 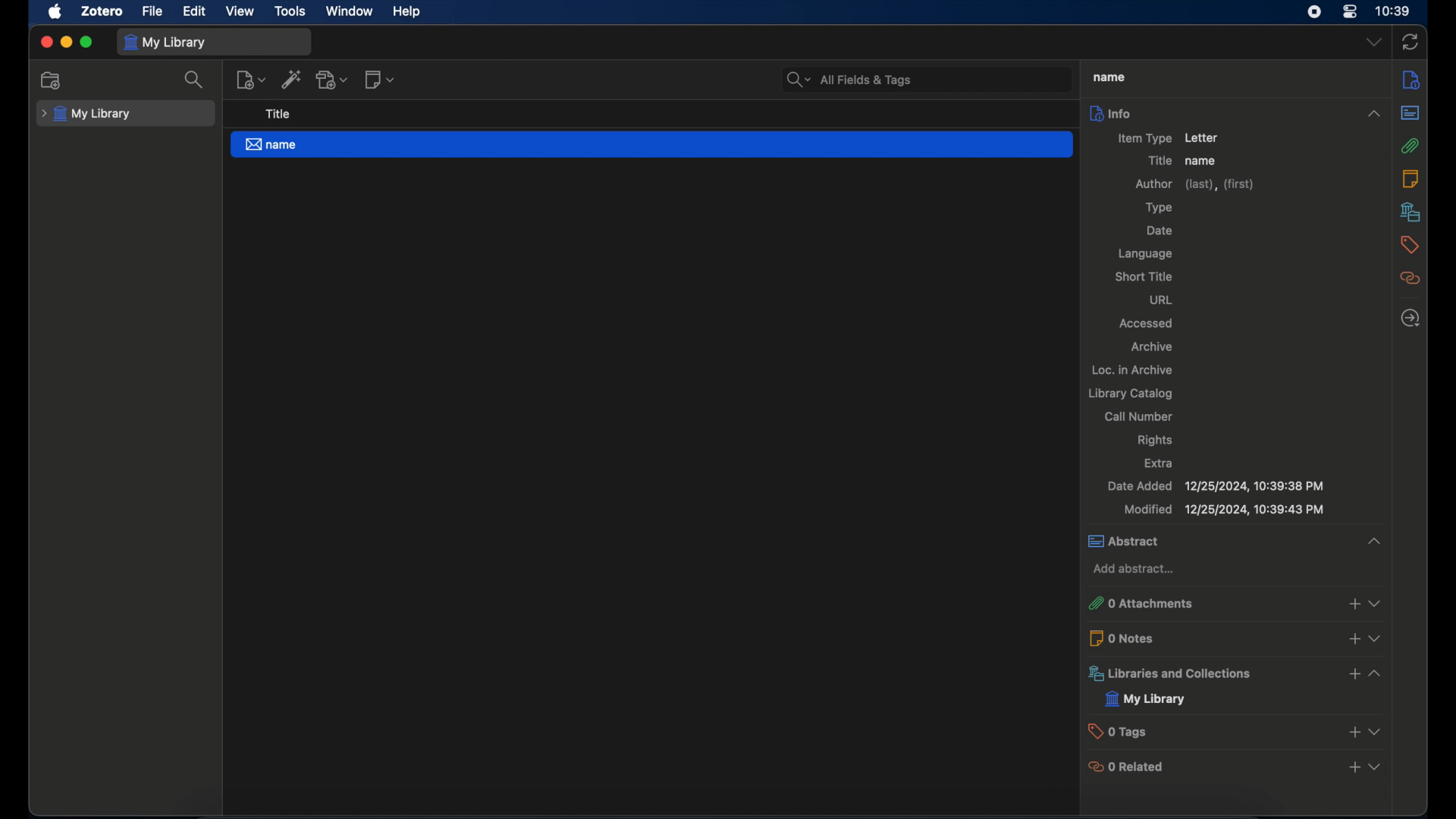 I want to click on title, so click(x=278, y=115).